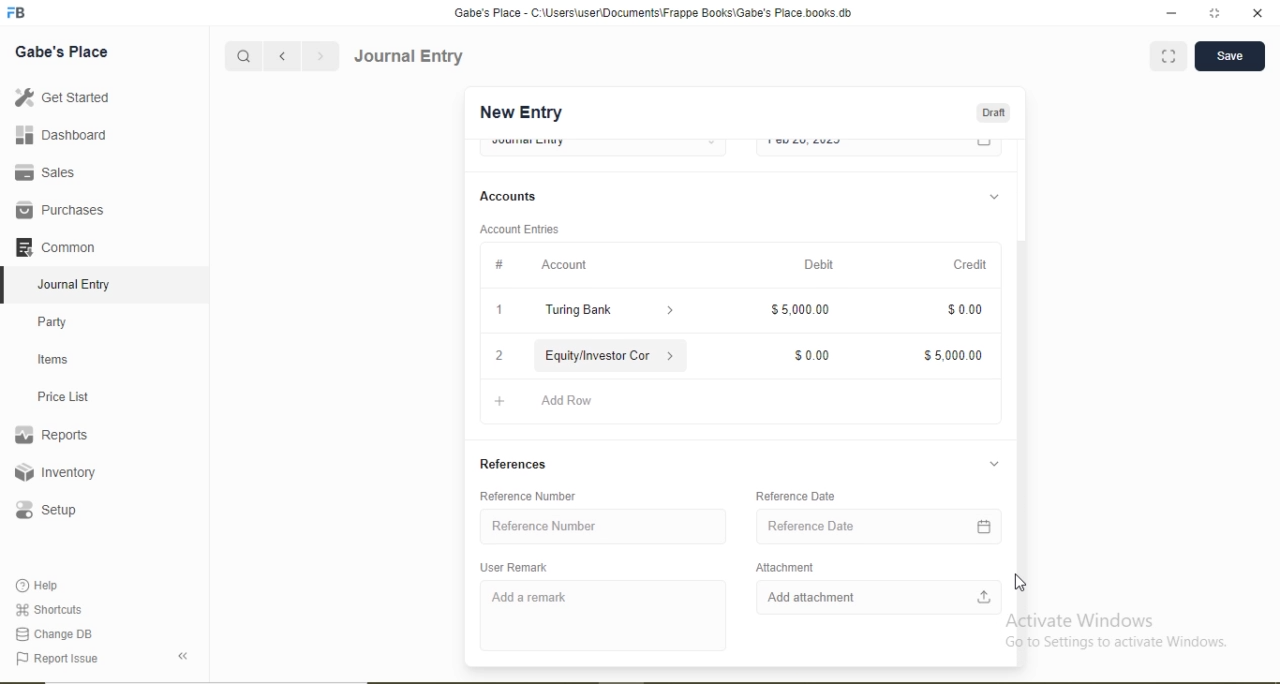 The height and width of the screenshot is (684, 1280). Describe the element at coordinates (321, 56) in the screenshot. I see `Forward` at that location.